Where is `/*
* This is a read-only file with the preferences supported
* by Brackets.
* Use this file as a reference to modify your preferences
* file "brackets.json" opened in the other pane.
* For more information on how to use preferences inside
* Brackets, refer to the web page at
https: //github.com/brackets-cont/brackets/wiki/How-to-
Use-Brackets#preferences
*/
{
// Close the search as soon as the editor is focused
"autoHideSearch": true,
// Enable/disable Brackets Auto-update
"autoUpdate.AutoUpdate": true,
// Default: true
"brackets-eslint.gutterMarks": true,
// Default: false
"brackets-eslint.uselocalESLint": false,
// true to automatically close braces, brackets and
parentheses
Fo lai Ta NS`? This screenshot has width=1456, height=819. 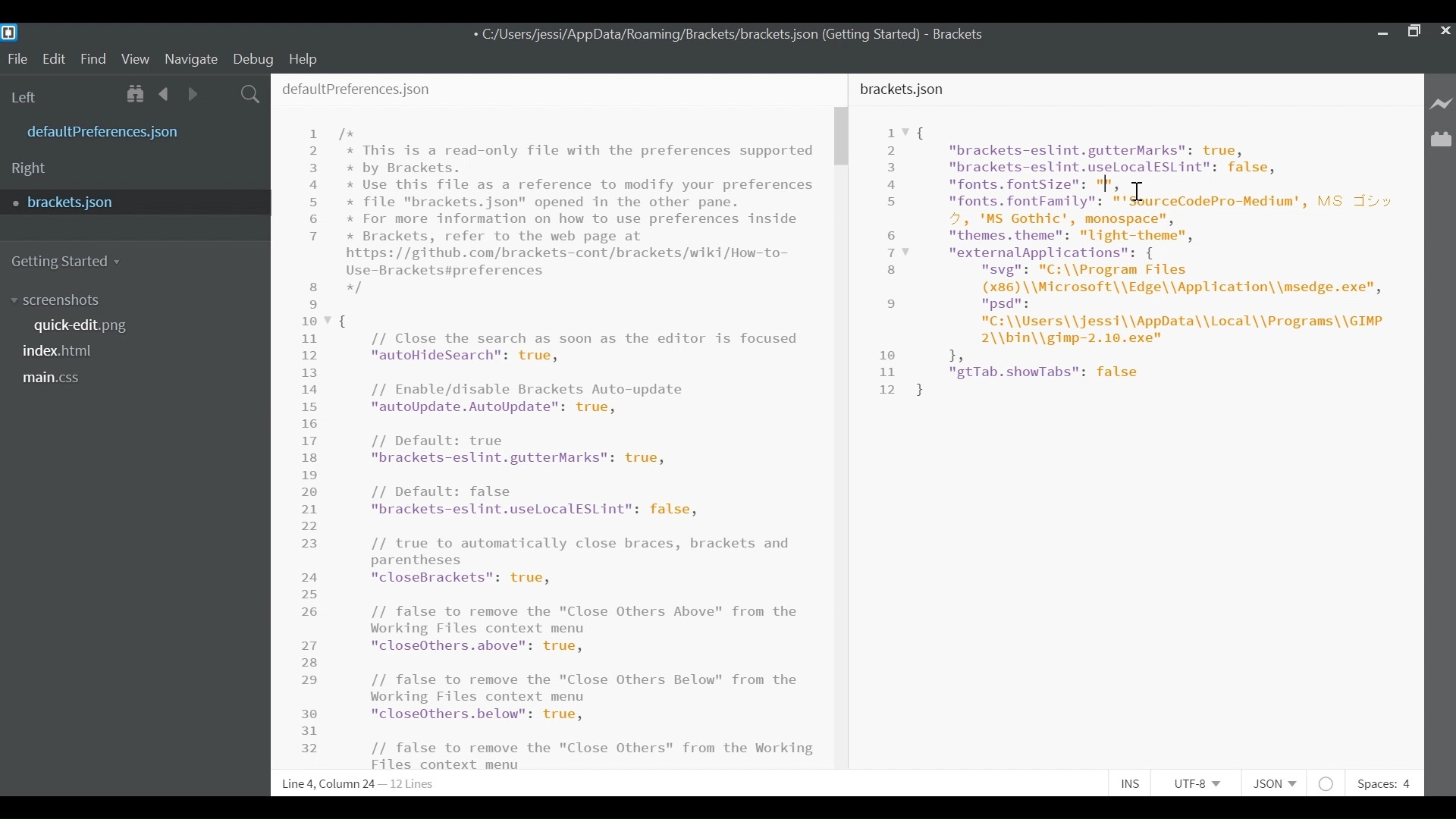
/*
* This is a read-only file with the preferences supported
* by Brackets.
* Use this file as a reference to modify your preferences
* file "brackets.json" opened in the other pane.
* For more information on how to use preferences inside
* Brackets, refer to the web page at
https: //github.com/brackets-cont/brackets/wiki/How-to-
Use-Brackets#preferences
*/
{
// Close the search as soon as the editor is focused
"autoHideSearch": true,
// Enable/disable Brackets Auto-update
"autoUpdate.AutoUpdate": true,
// Default: true
"brackets-eslint.gutterMarks": true,
// Default: false
"brackets-eslint.uselocalESLint": false,
// true to automatically close braces, brackets and
parentheses
Fo lai Ta NS is located at coordinates (577, 438).